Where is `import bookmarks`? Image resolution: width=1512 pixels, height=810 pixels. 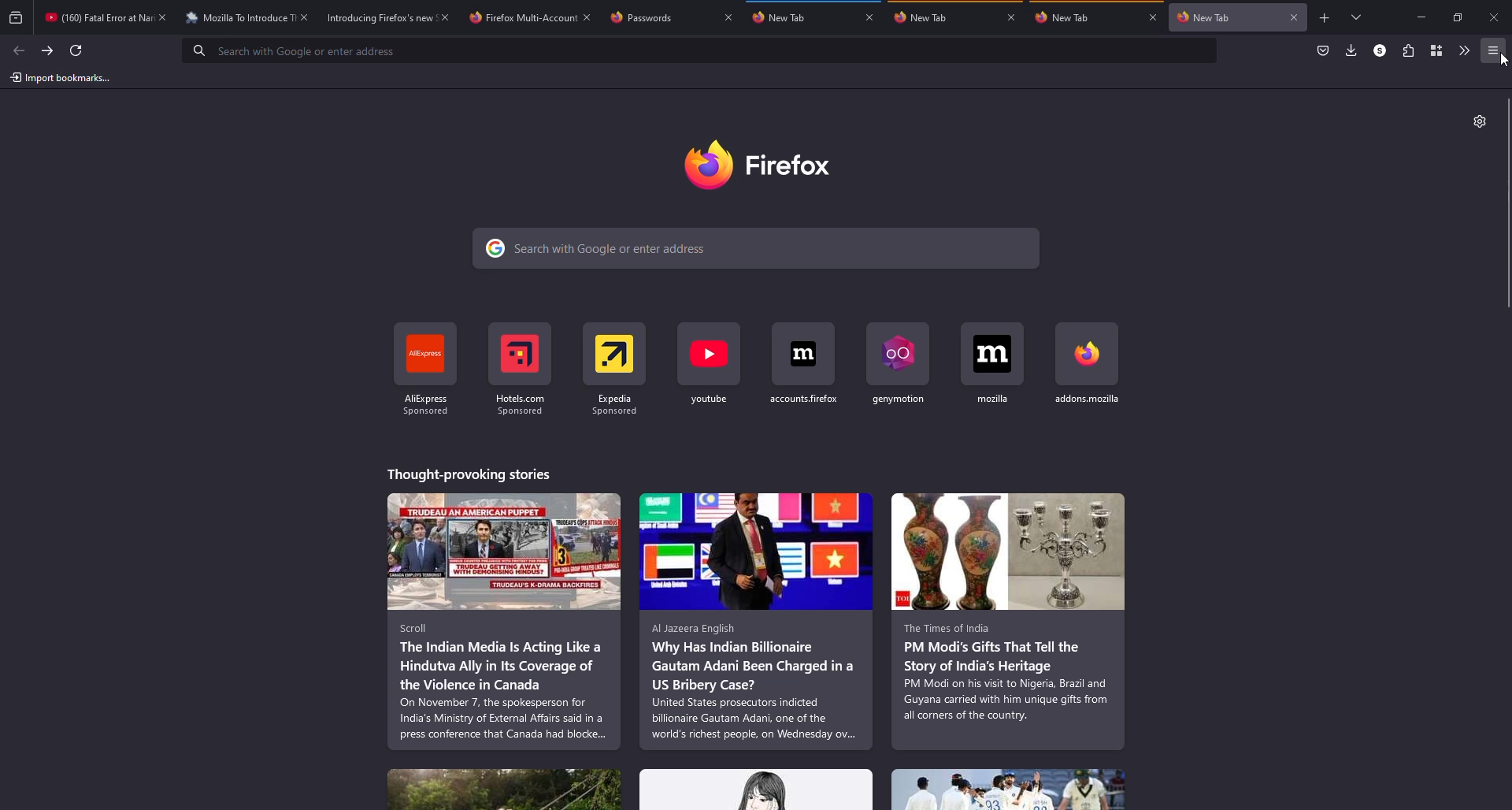
import bookmarks is located at coordinates (59, 76).